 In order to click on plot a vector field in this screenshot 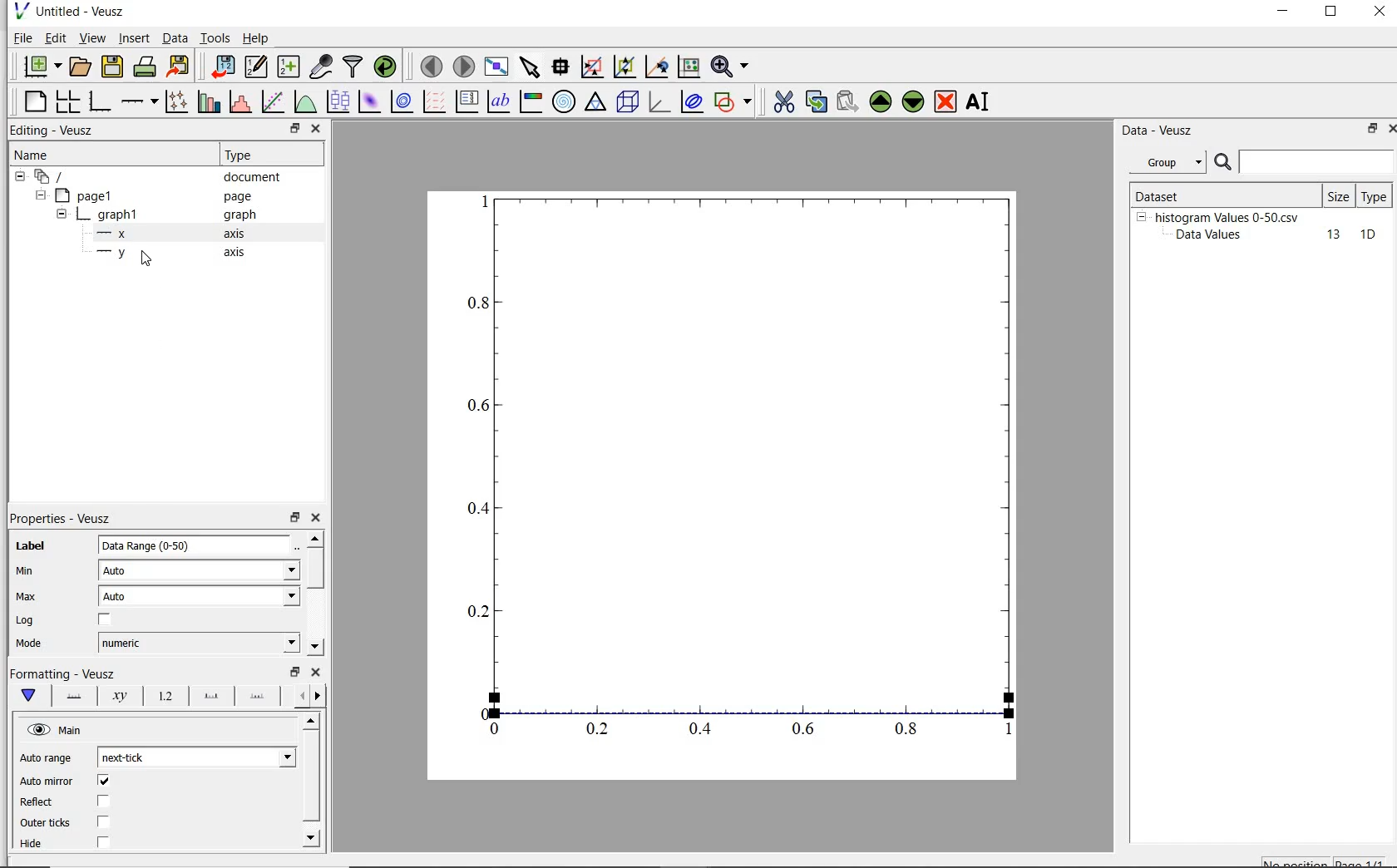, I will do `click(436, 101)`.